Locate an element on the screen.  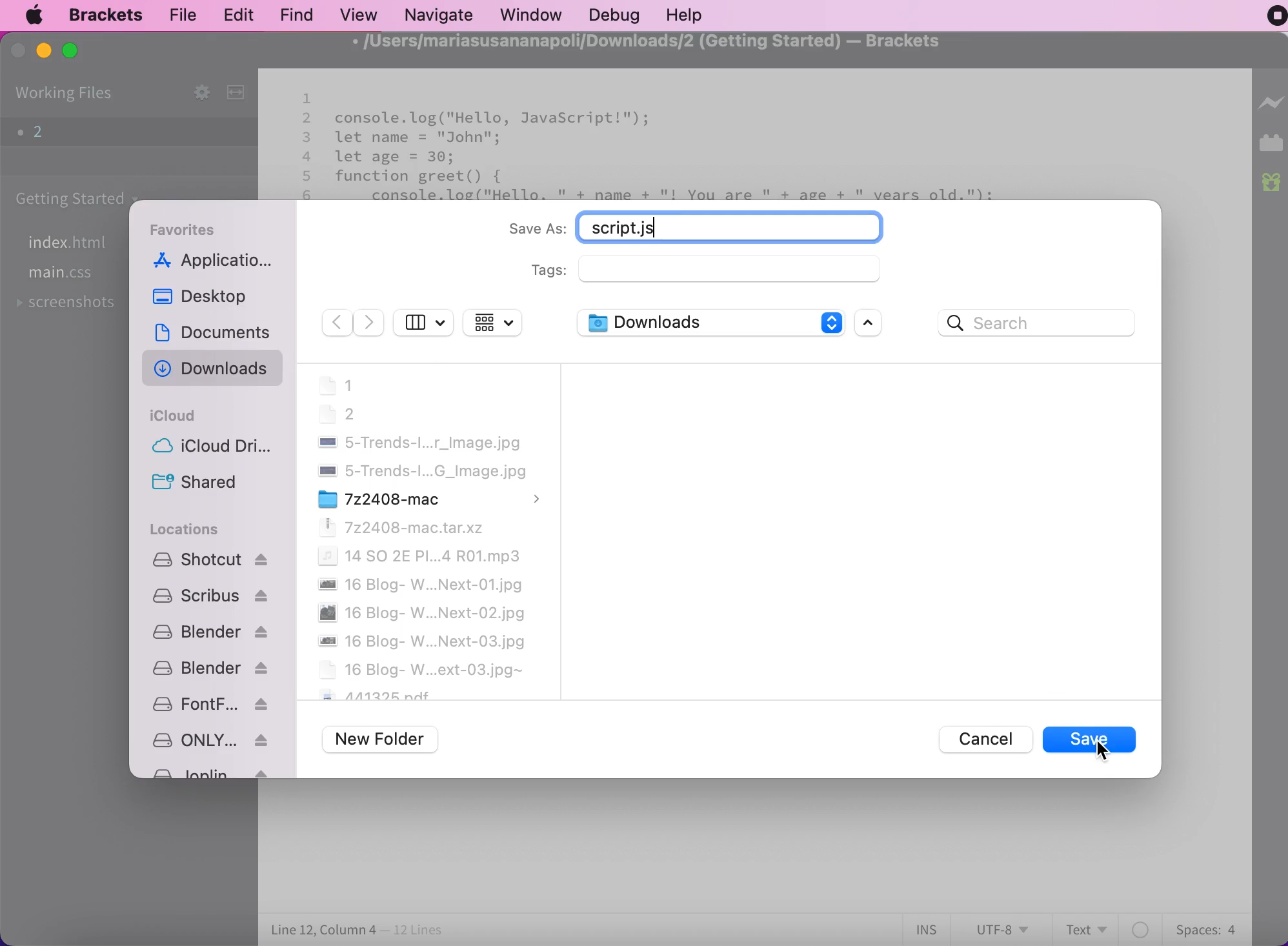
favorites is located at coordinates (189, 228).